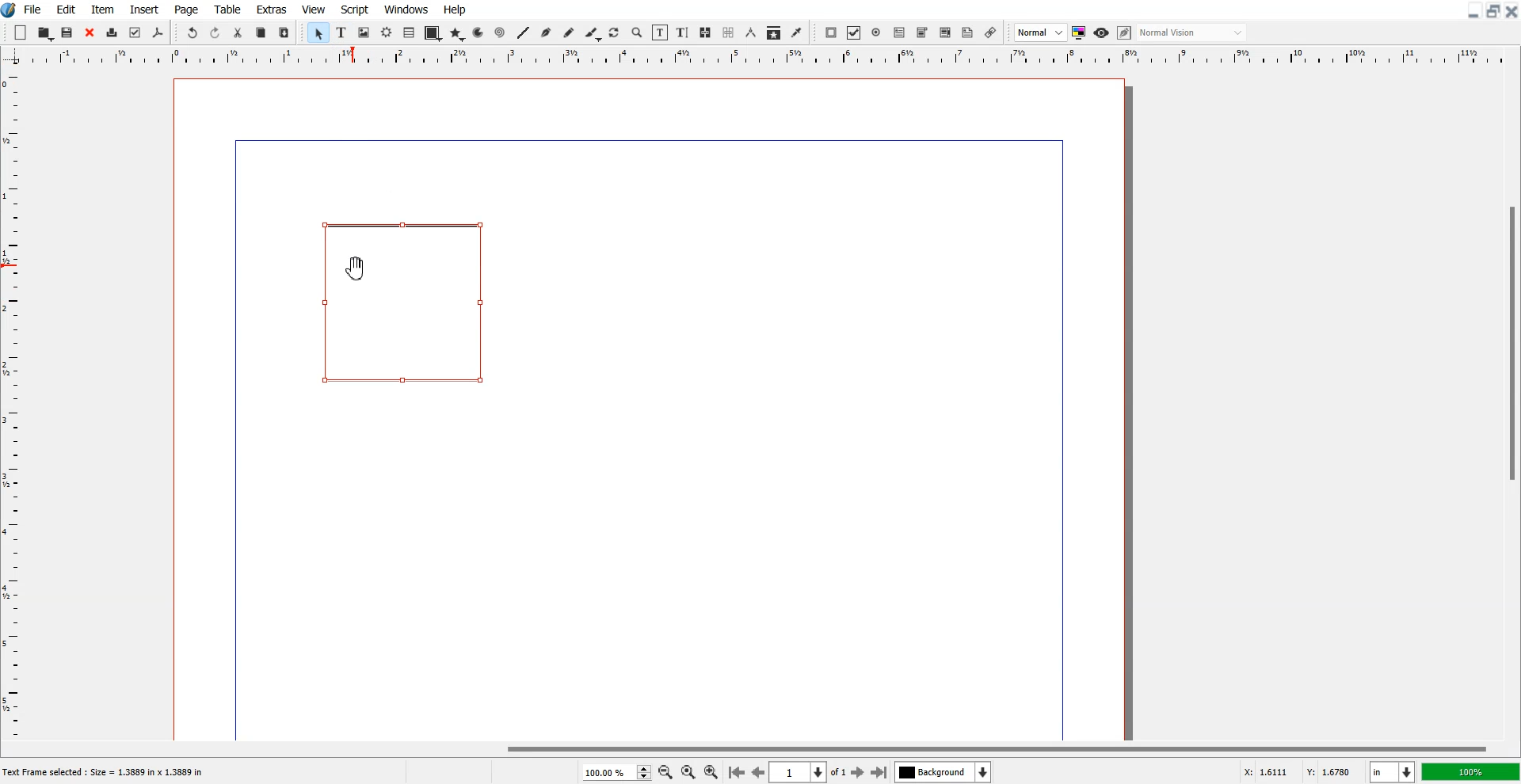  Describe the element at coordinates (774, 33) in the screenshot. I see `Copy item properties` at that location.